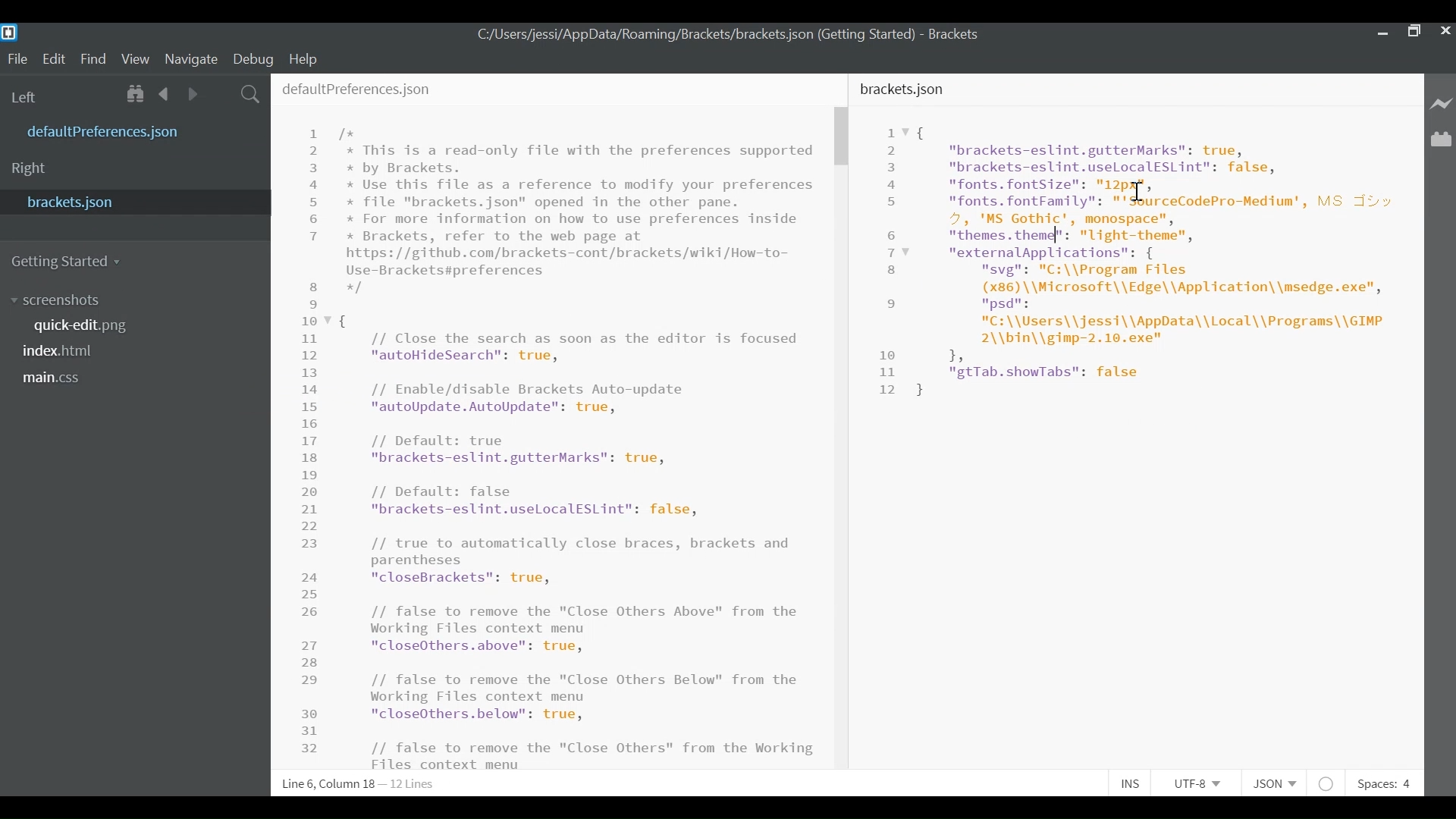  What do you see at coordinates (63, 352) in the screenshot?
I see `index.html` at bounding box center [63, 352].